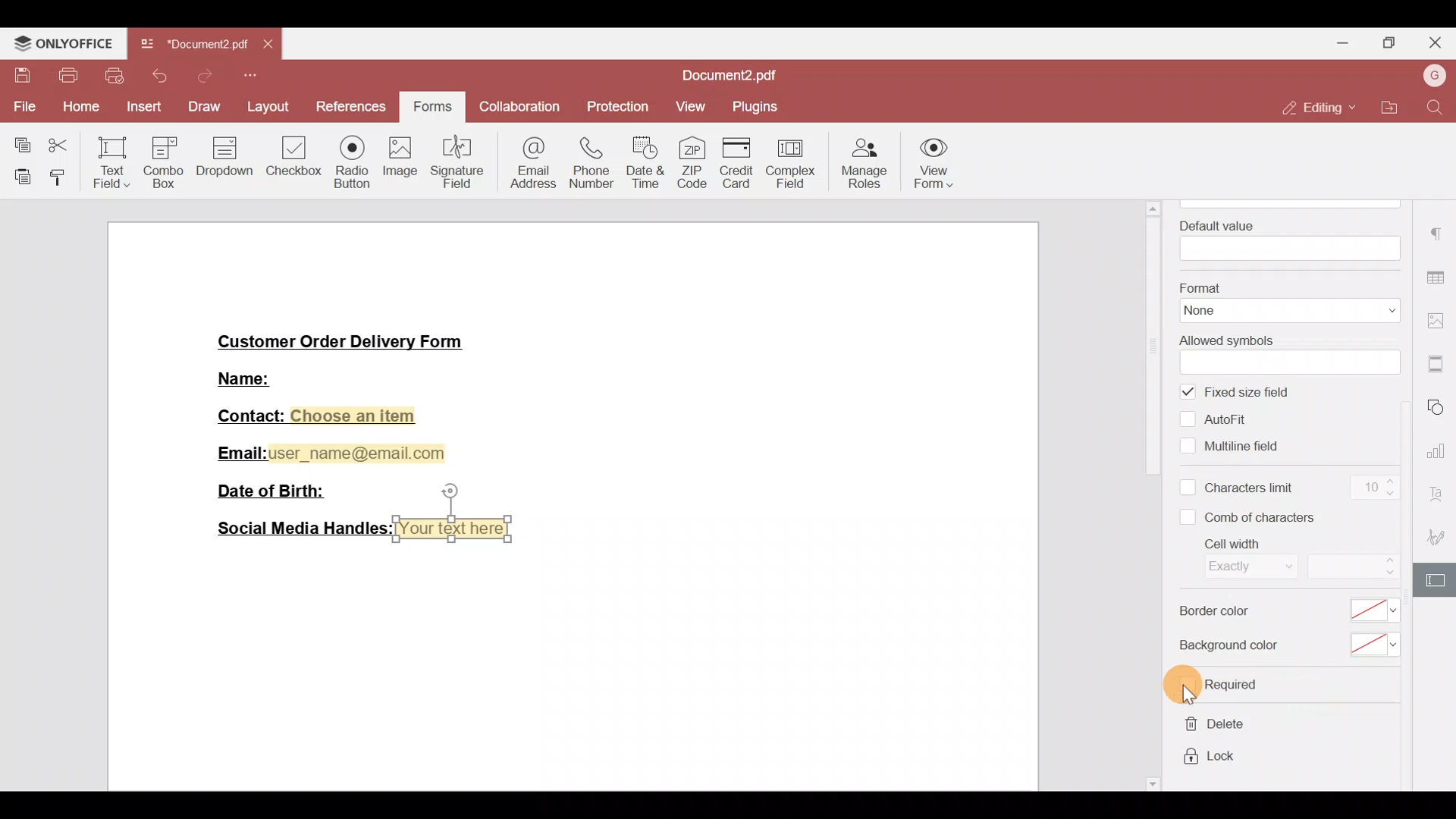 The height and width of the screenshot is (819, 1456). What do you see at coordinates (645, 162) in the screenshot?
I see `Date & time` at bounding box center [645, 162].